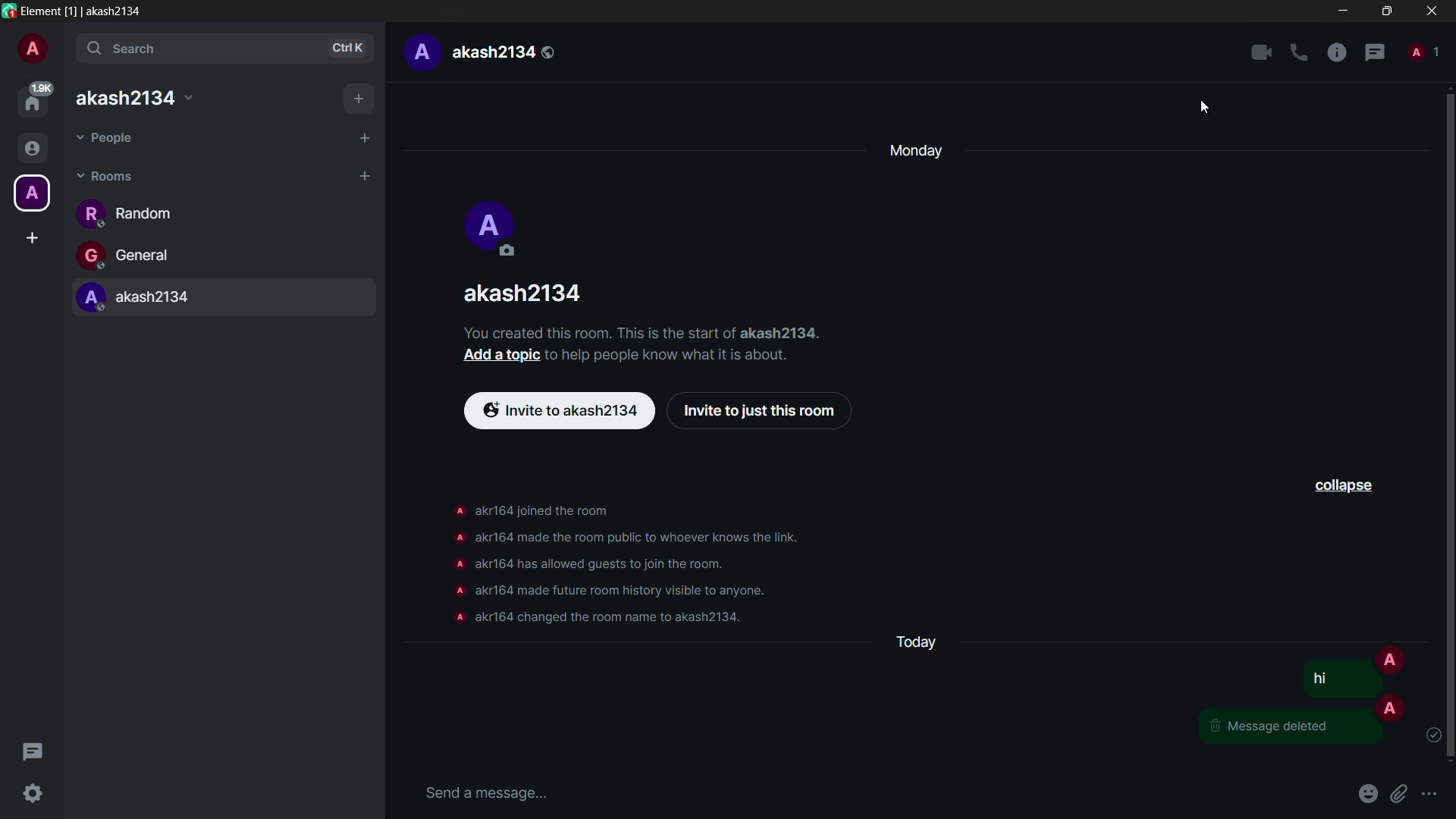 Image resolution: width=1456 pixels, height=819 pixels. Describe the element at coordinates (1279, 729) in the screenshot. I see `Message deleted` at that location.